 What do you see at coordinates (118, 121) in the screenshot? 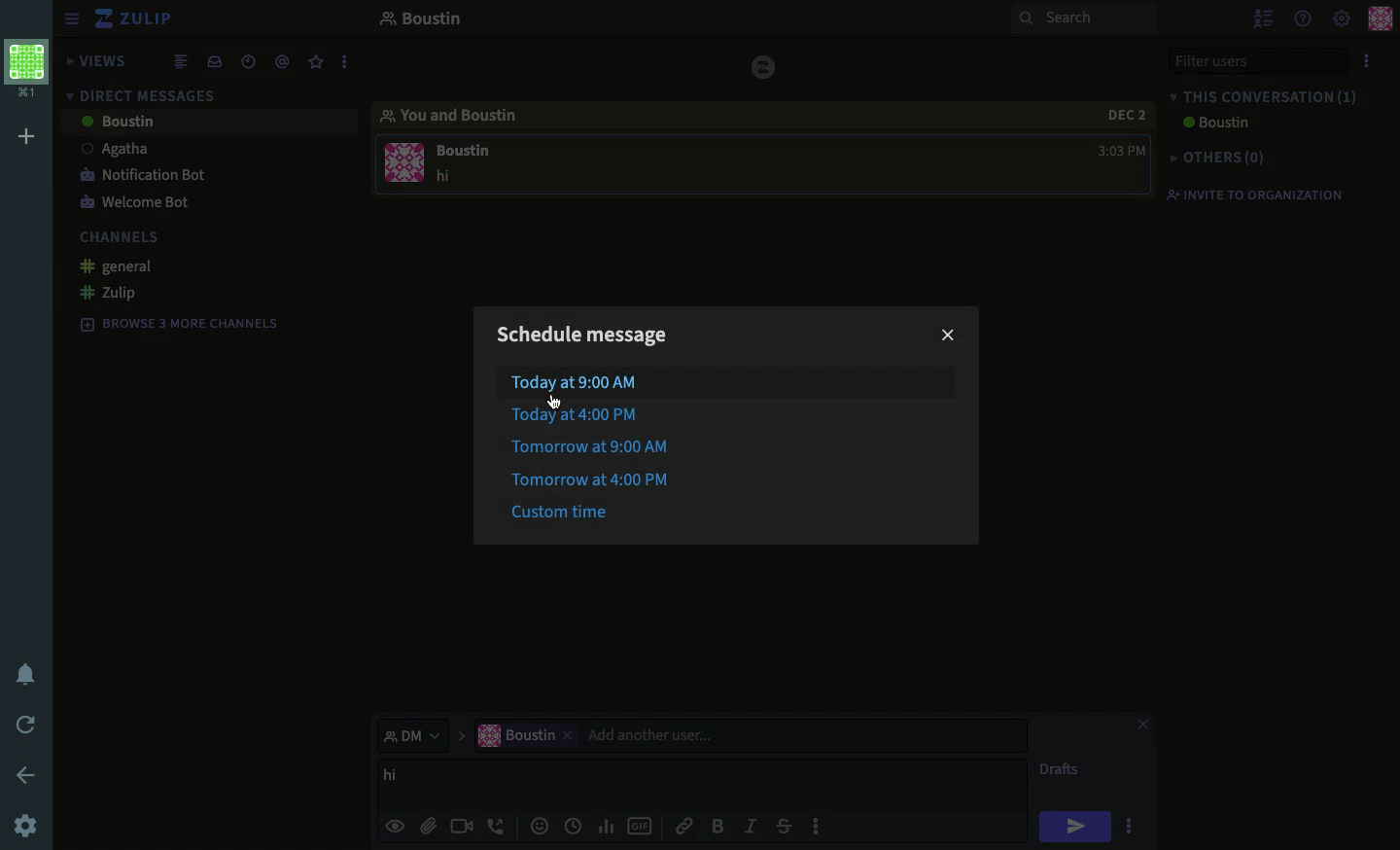
I see `Boustin` at bounding box center [118, 121].